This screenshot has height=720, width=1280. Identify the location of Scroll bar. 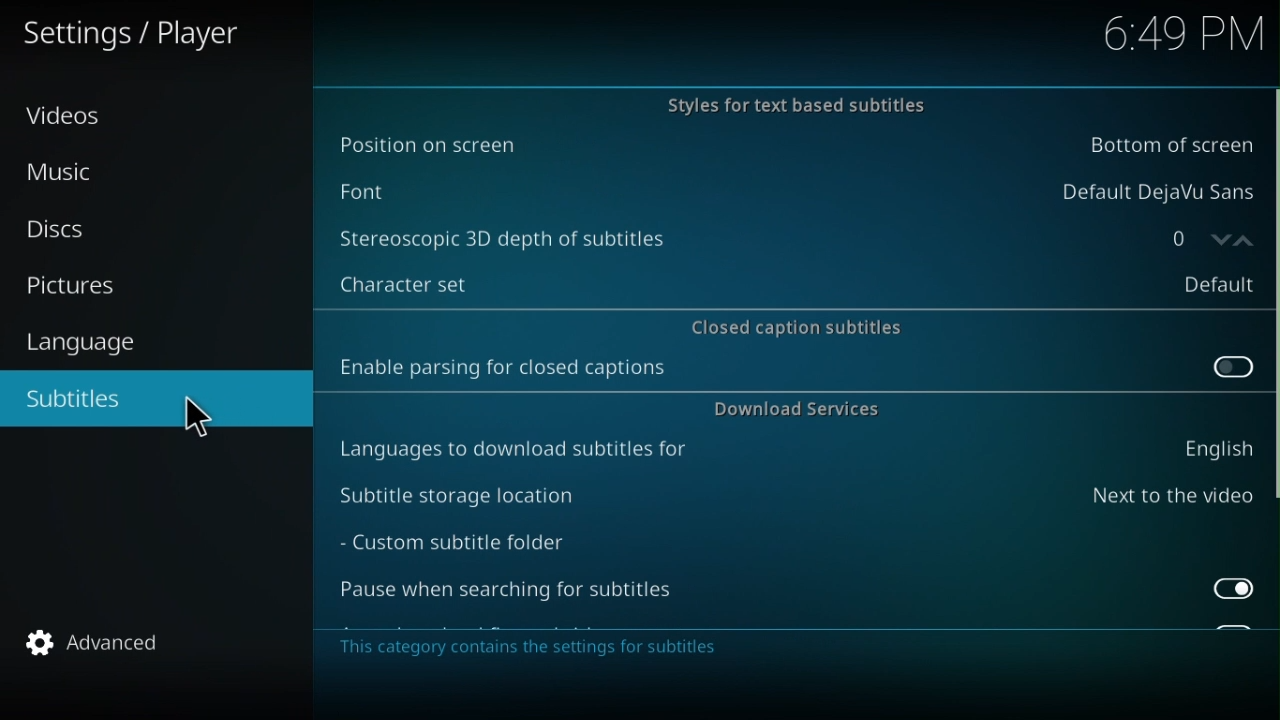
(1272, 360).